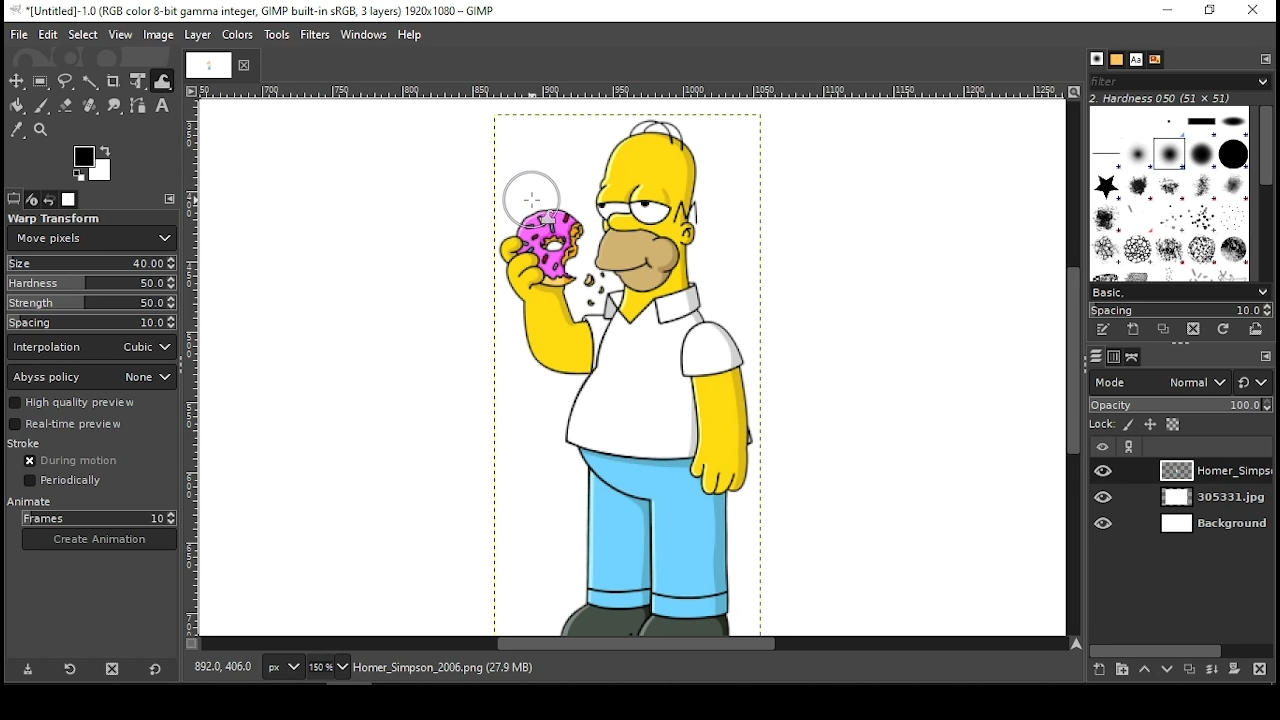 This screenshot has height=720, width=1280. Describe the element at coordinates (111, 670) in the screenshot. I see `delete tool preset` at that location.